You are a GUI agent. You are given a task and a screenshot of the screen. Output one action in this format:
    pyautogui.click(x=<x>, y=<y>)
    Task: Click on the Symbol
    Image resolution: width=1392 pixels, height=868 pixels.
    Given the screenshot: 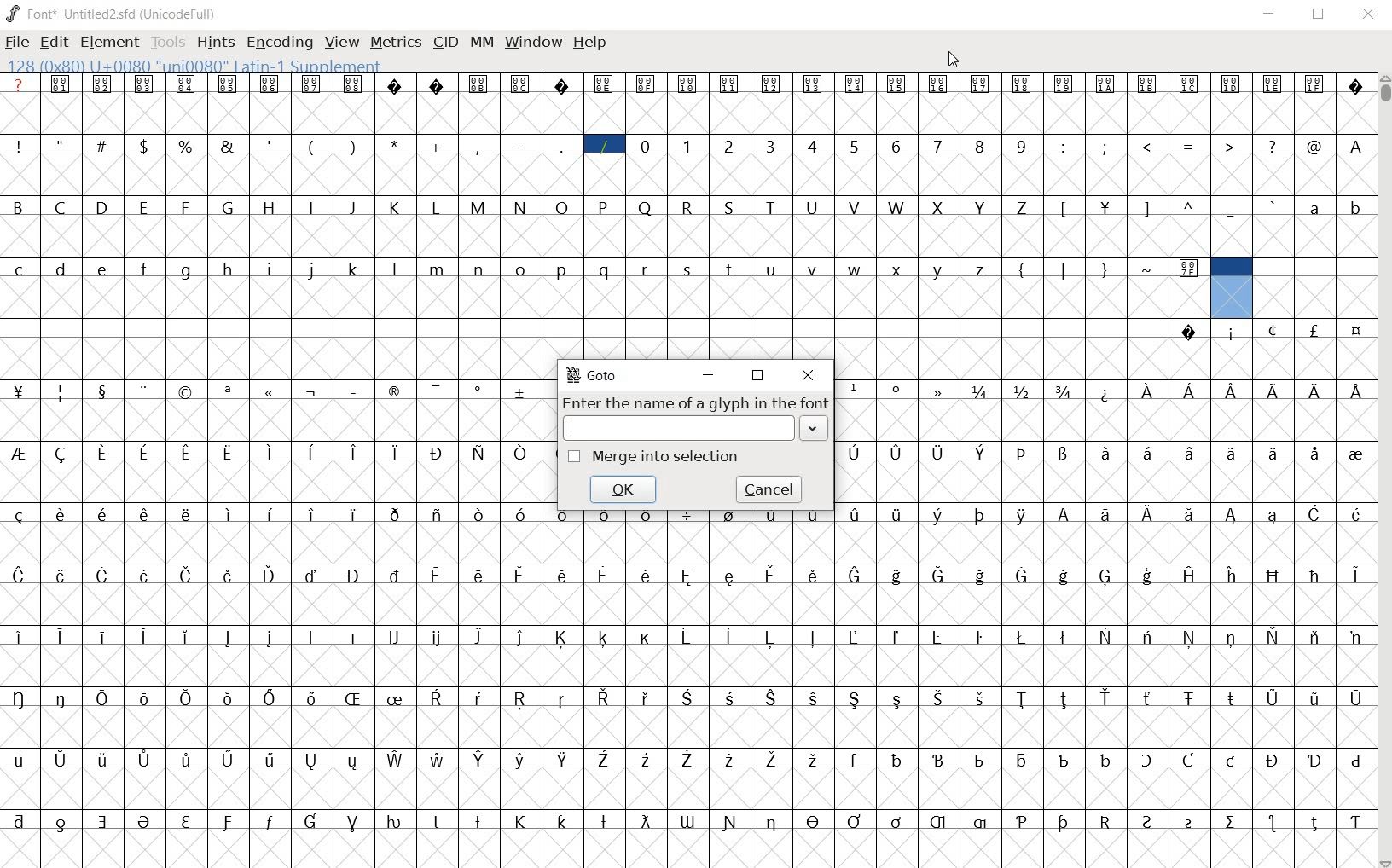 What is the action you would take?
    pyautogui.click(x=727, y=638)
    